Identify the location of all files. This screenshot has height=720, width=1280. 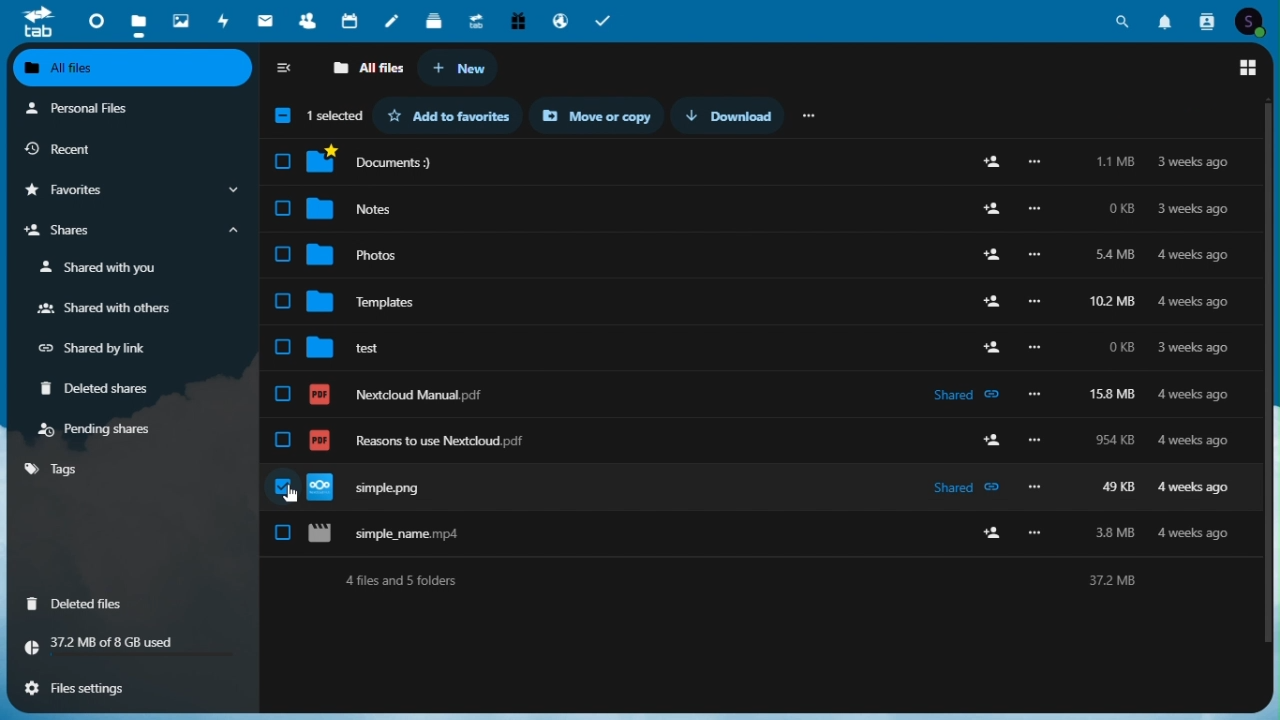
(134, 70).